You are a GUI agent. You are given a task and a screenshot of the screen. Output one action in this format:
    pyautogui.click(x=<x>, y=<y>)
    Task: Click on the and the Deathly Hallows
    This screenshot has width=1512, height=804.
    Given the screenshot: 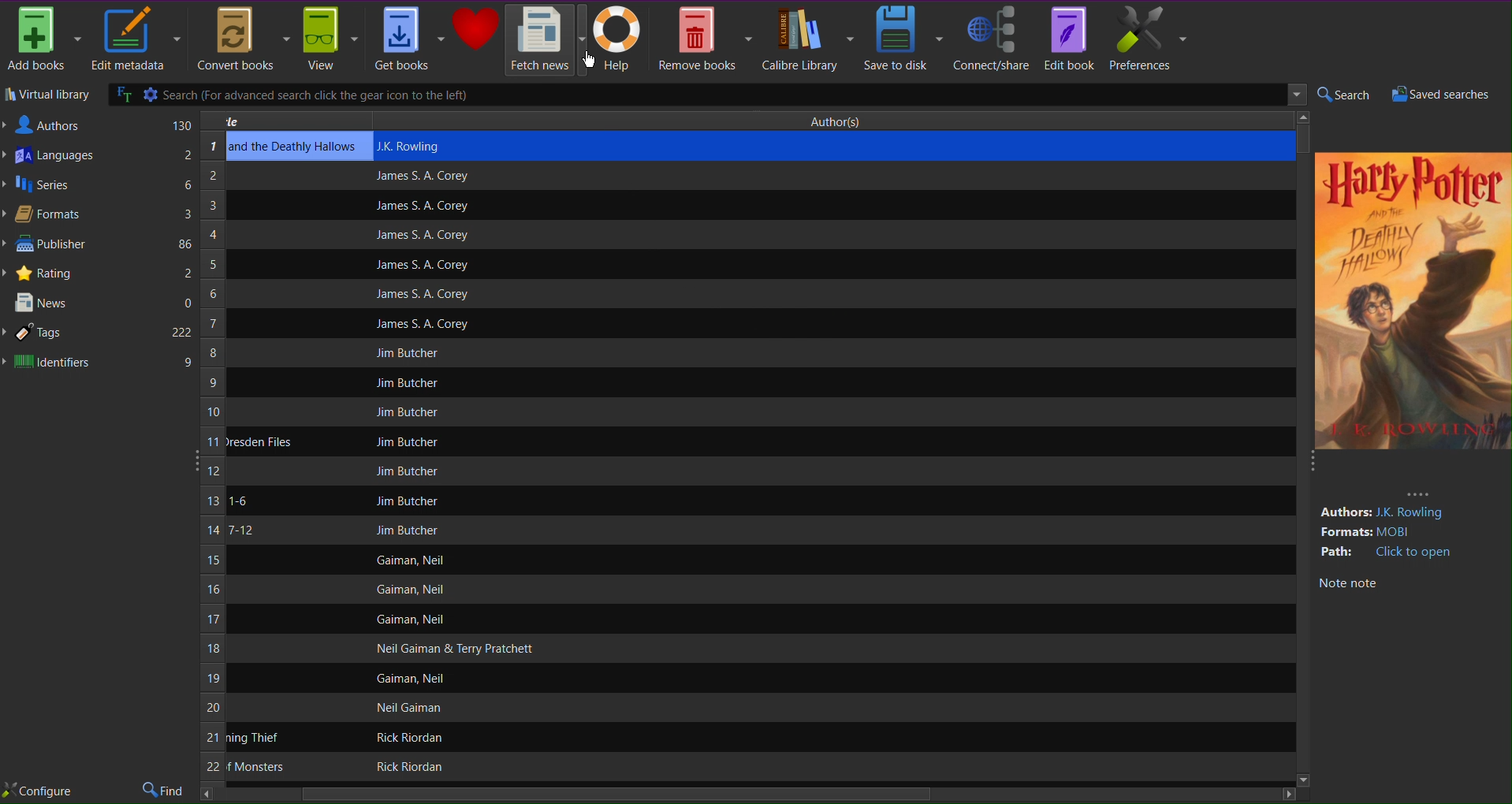 What is the action you would take?
    pyautogui.click(x=294, y=147)
    